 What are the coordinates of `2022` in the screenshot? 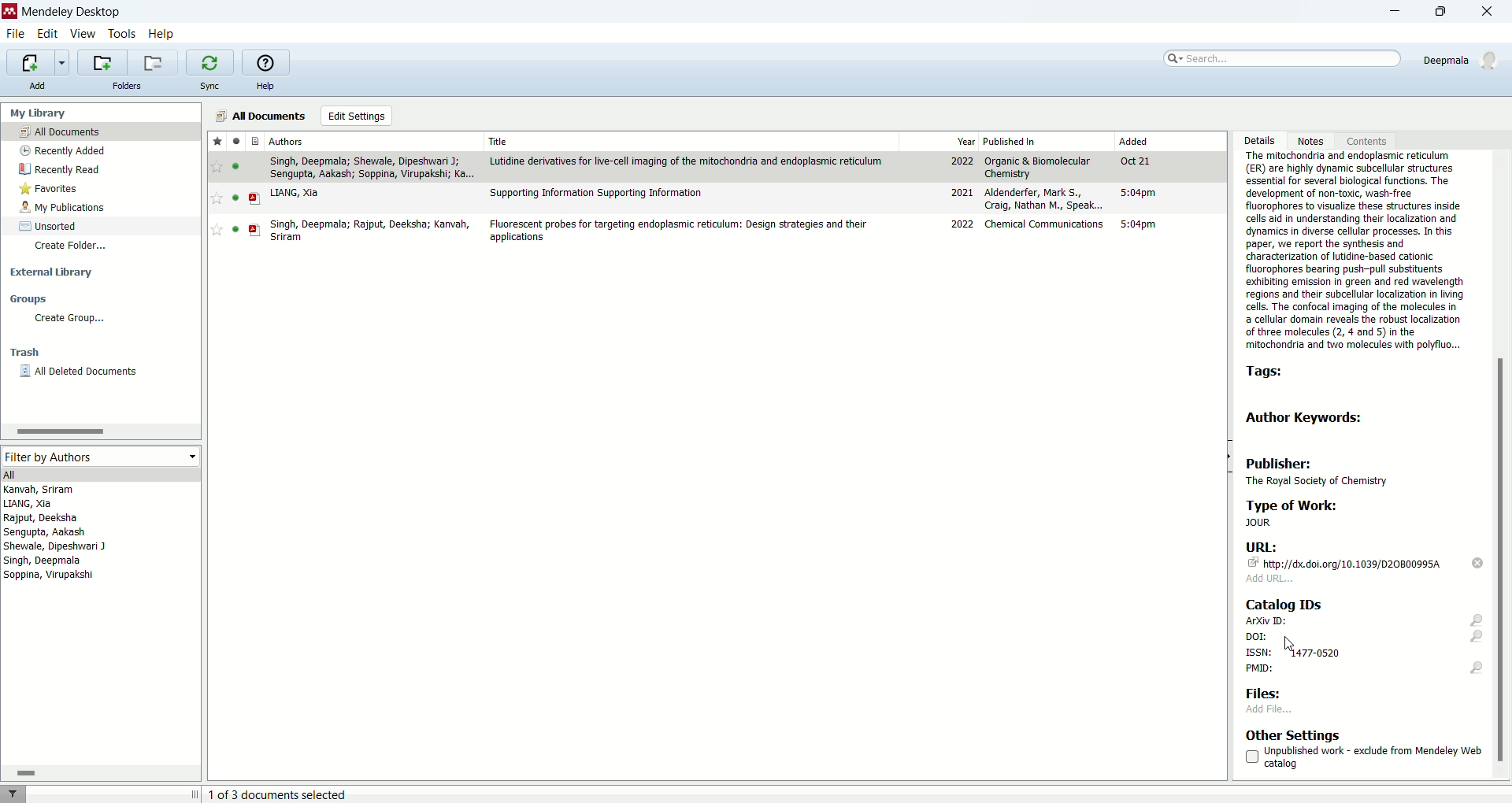 It's located at (962, 161).